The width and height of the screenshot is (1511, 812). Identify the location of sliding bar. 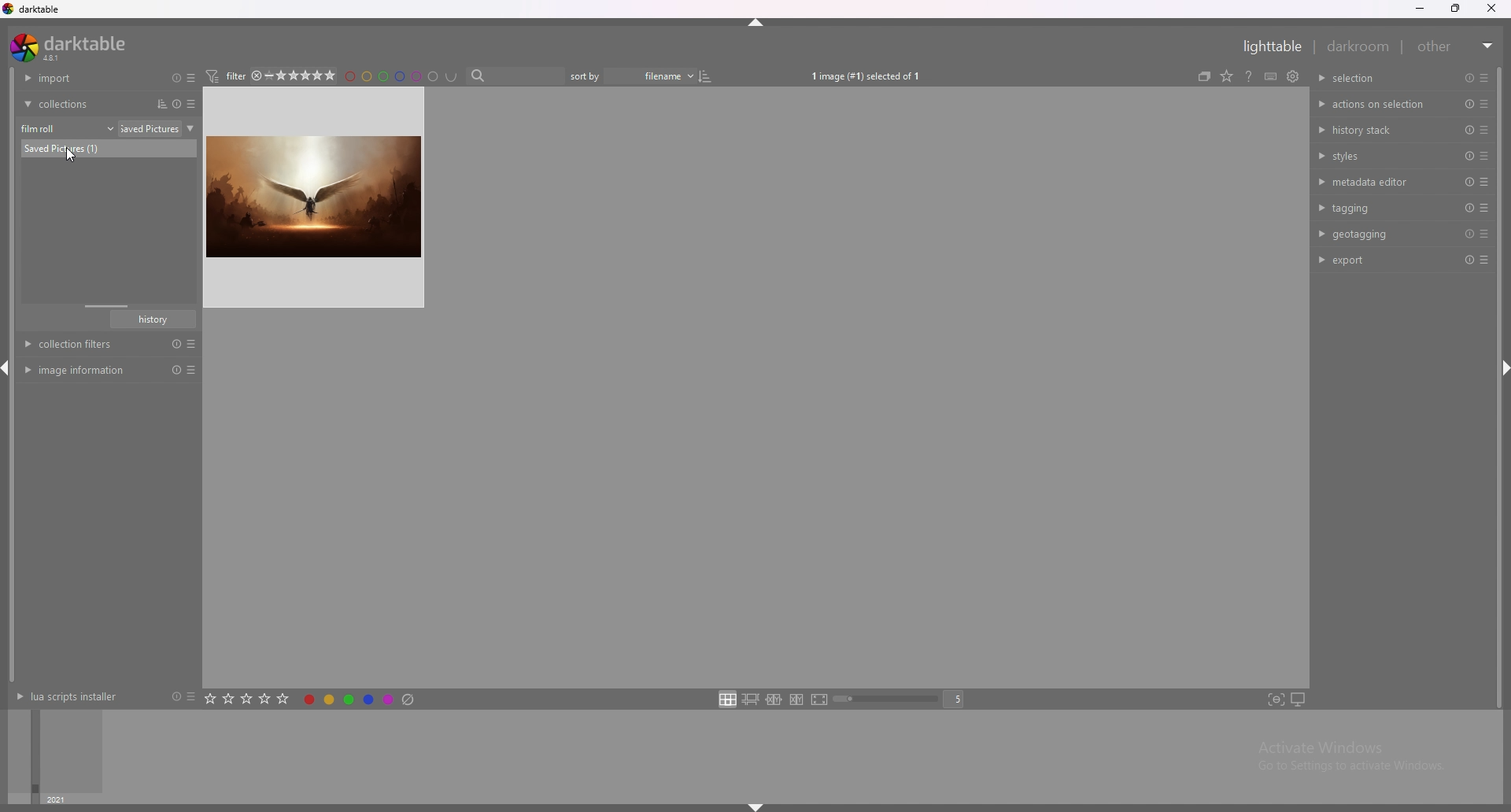
(105, 306).